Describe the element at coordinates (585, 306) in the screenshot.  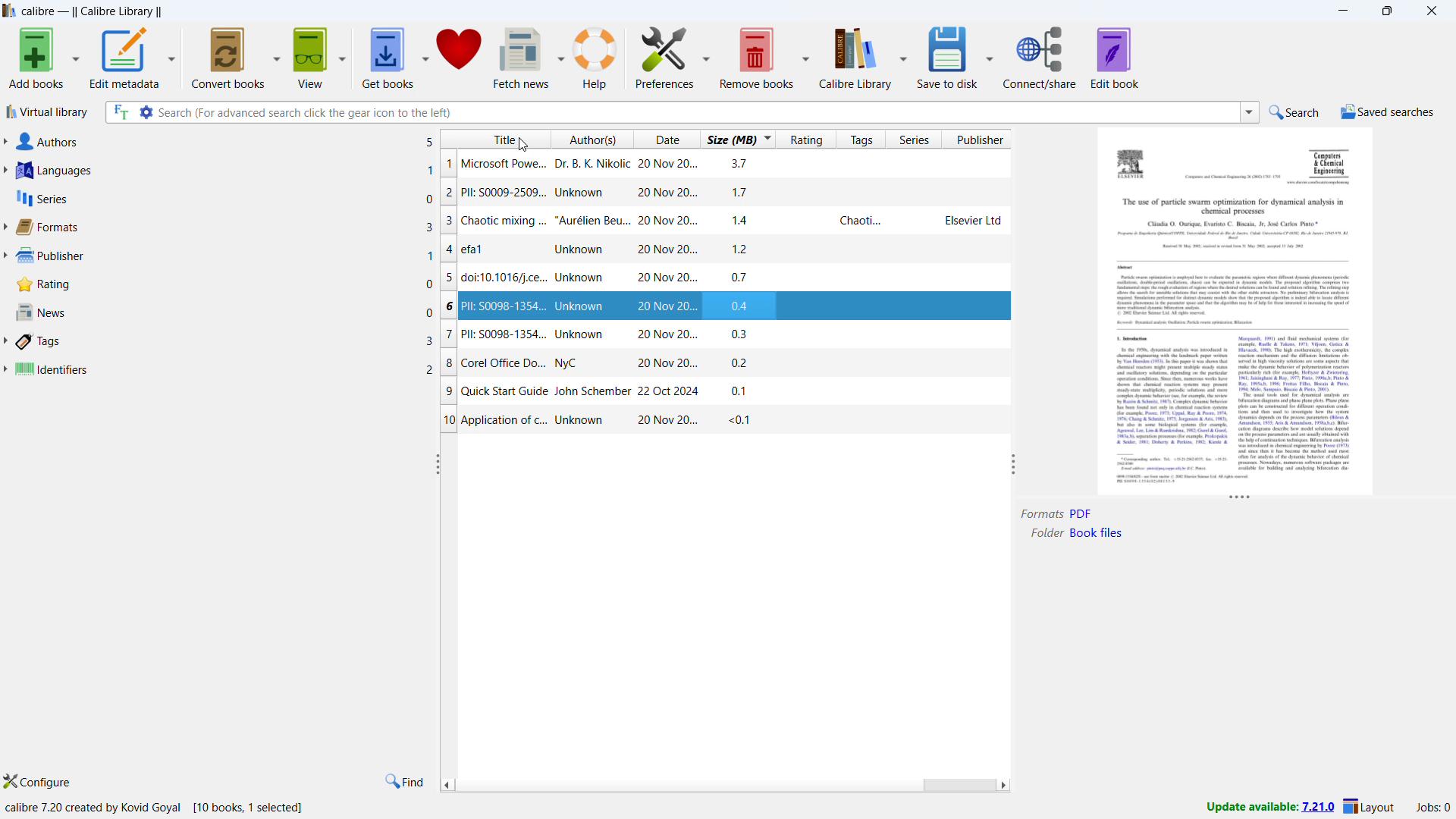
I see `PII: S0098-1354... Unknown 20 Nov 20...` at that location.